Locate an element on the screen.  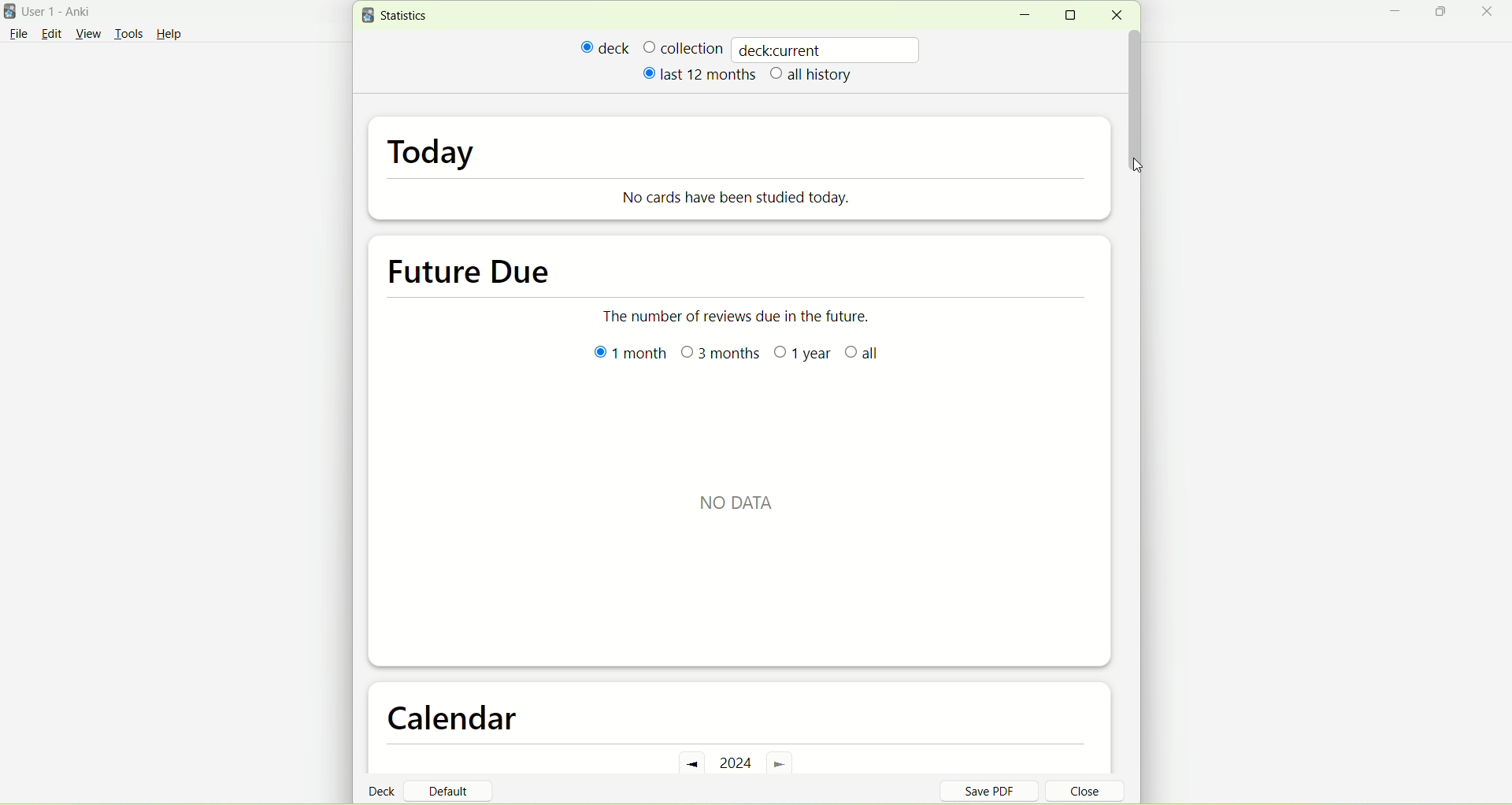
3 months is located at coordinates (721, 354).